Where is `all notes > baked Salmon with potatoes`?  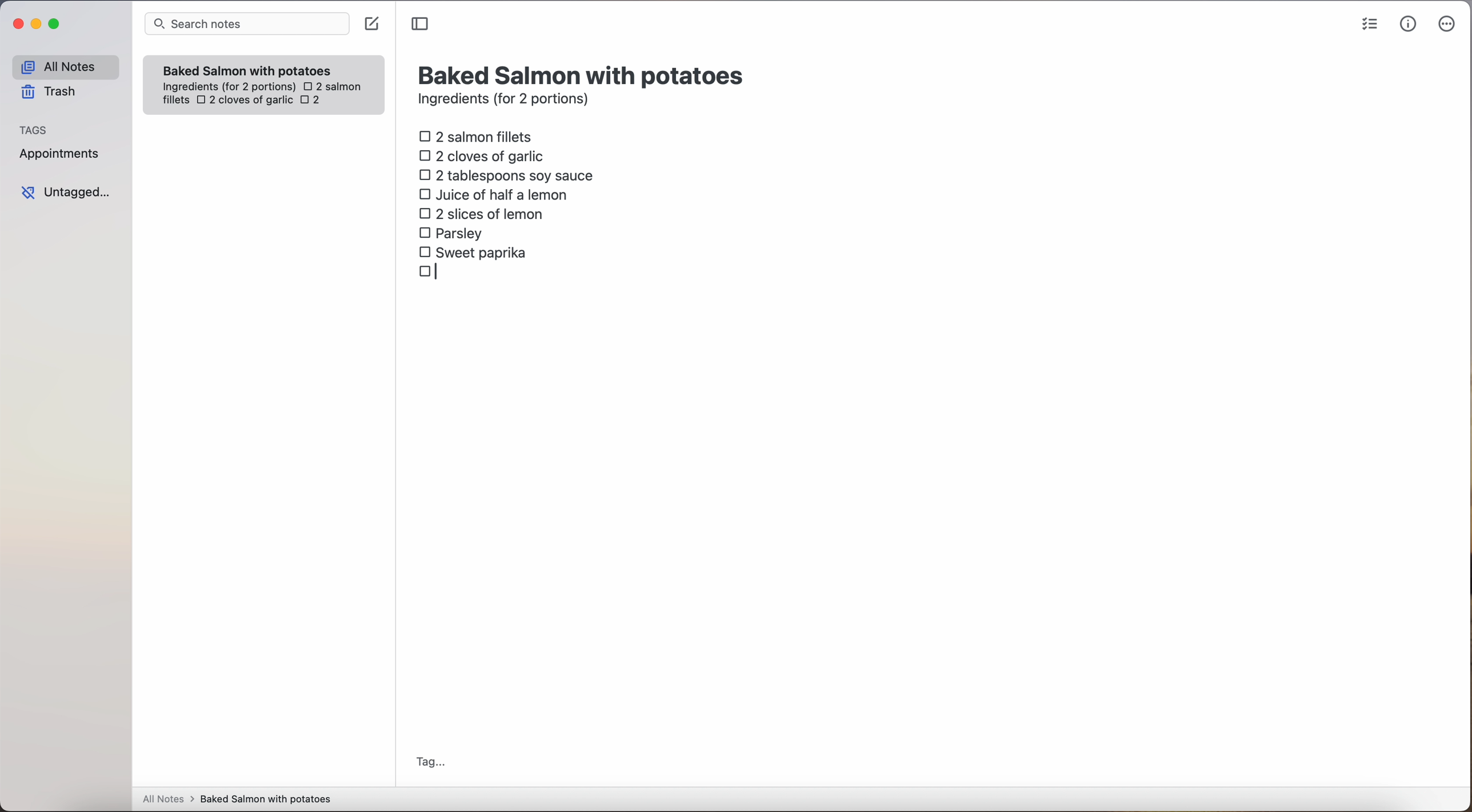 all notes > baked Salmon with potatoes is located at coordinates (237, 798).